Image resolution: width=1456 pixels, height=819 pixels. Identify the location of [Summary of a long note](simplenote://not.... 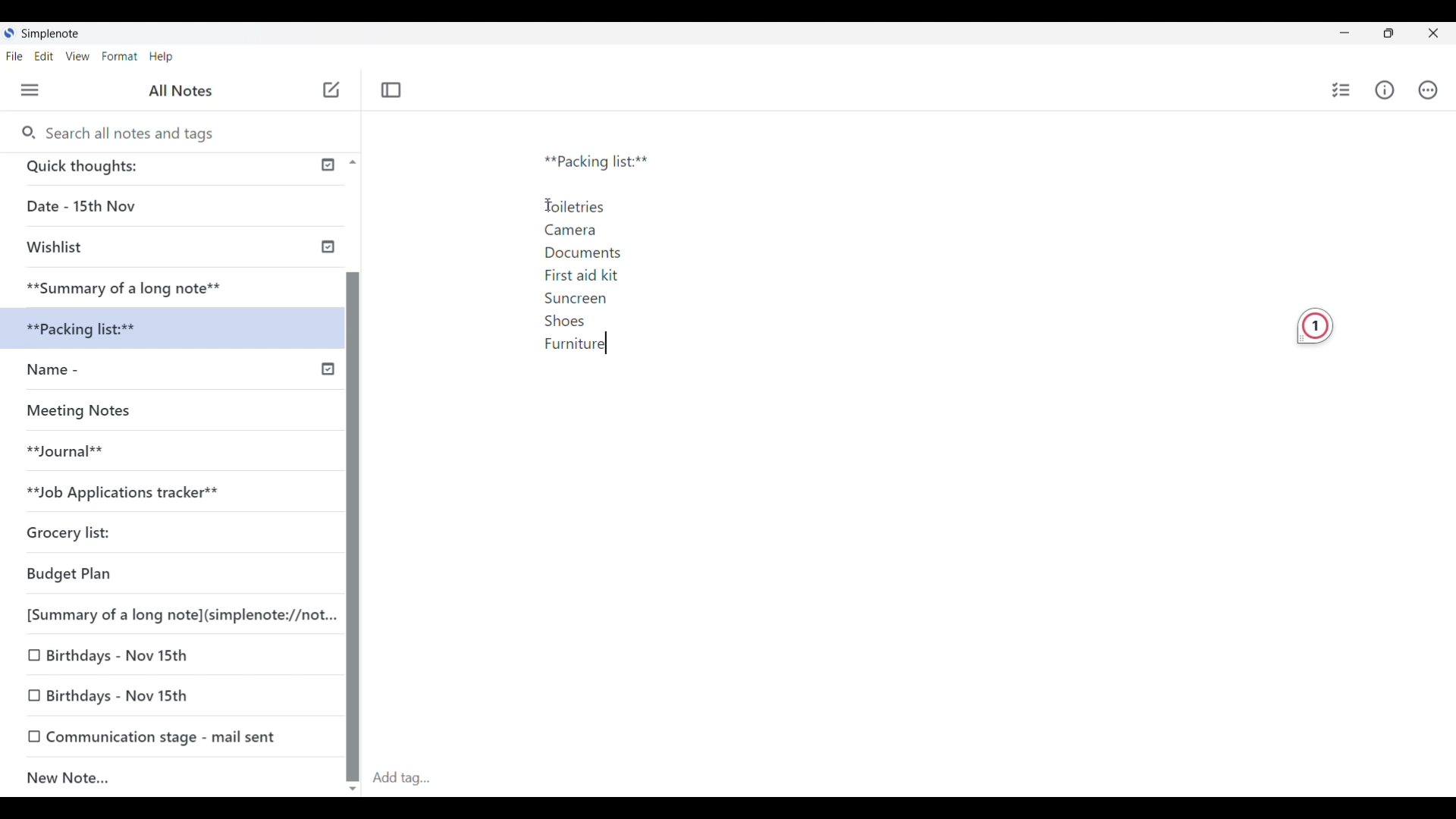
(174, 614).